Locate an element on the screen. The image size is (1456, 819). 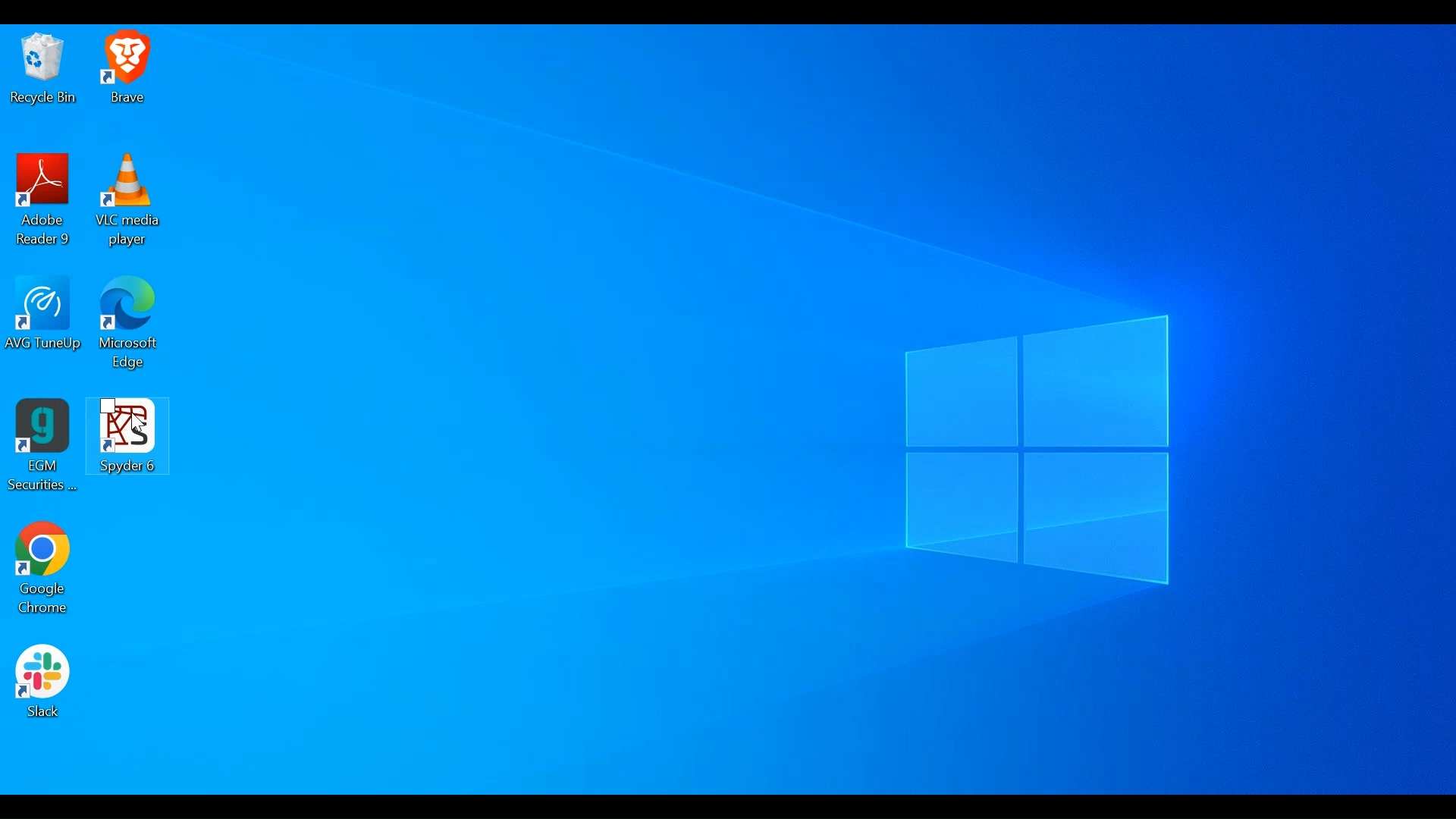
Brave Desktop Icon is located at coordinates (124, 71).